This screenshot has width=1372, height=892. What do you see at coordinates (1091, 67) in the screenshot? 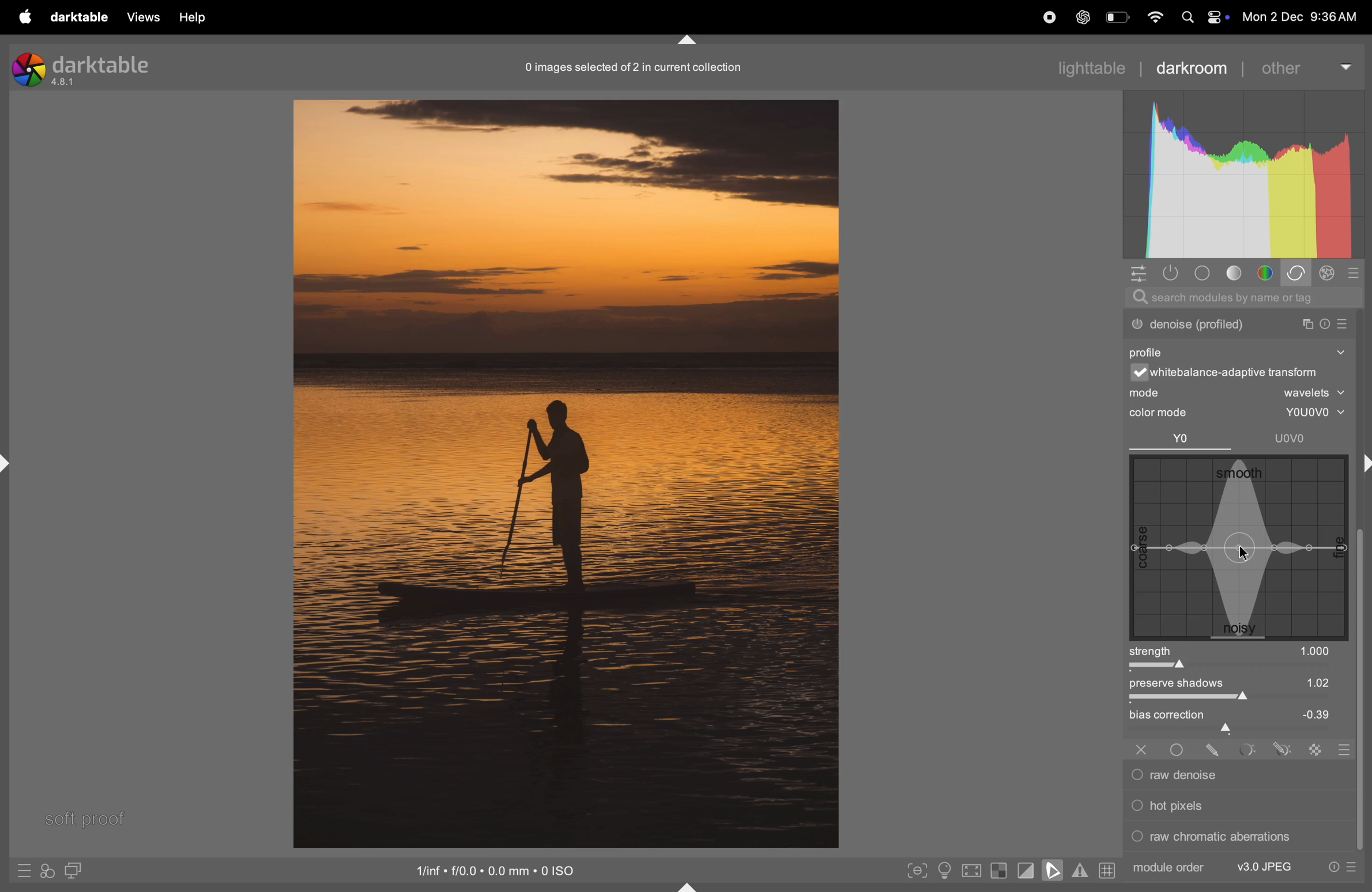
I see `lighttable` at bounding box center [1091, 67].